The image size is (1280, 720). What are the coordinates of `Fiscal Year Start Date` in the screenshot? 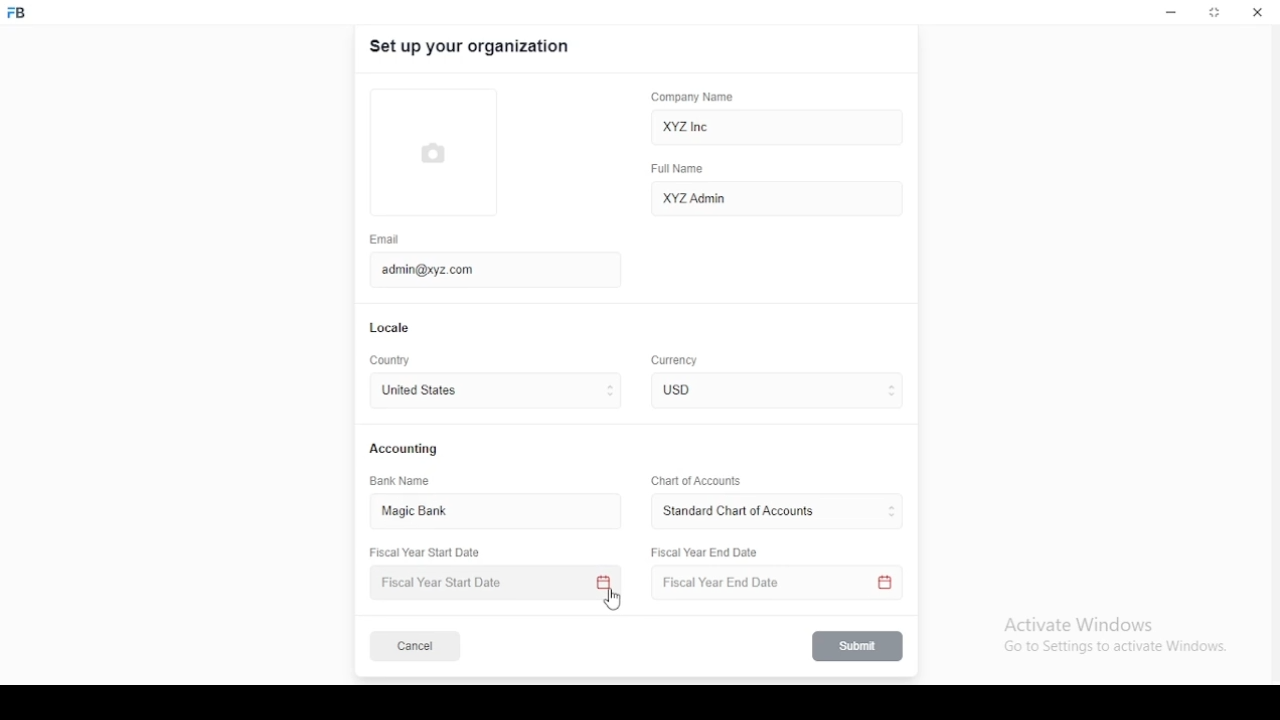 It's located at (432, 553).